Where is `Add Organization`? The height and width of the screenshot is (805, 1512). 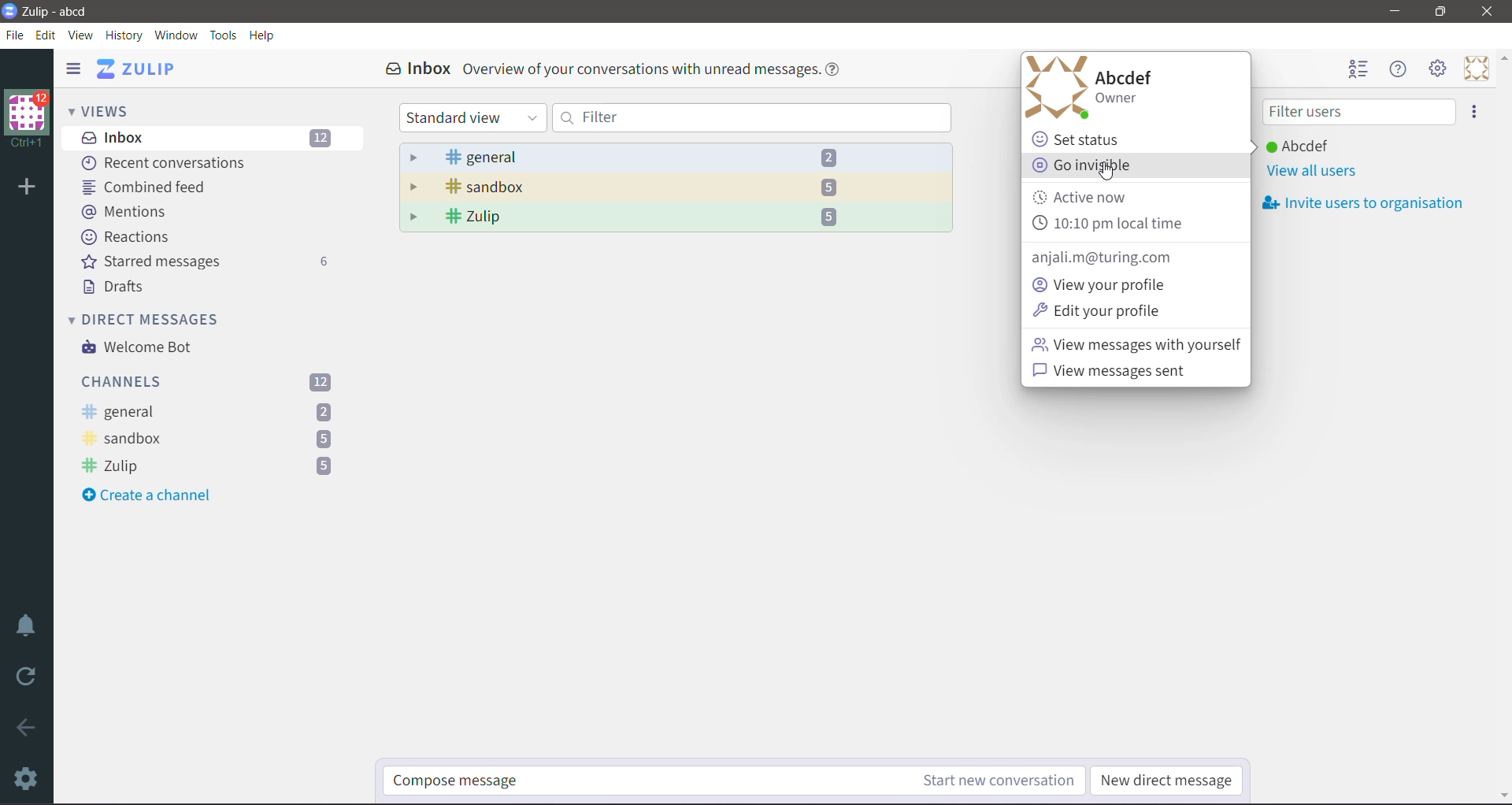
Add Organization is located at coordinates (28, 187).